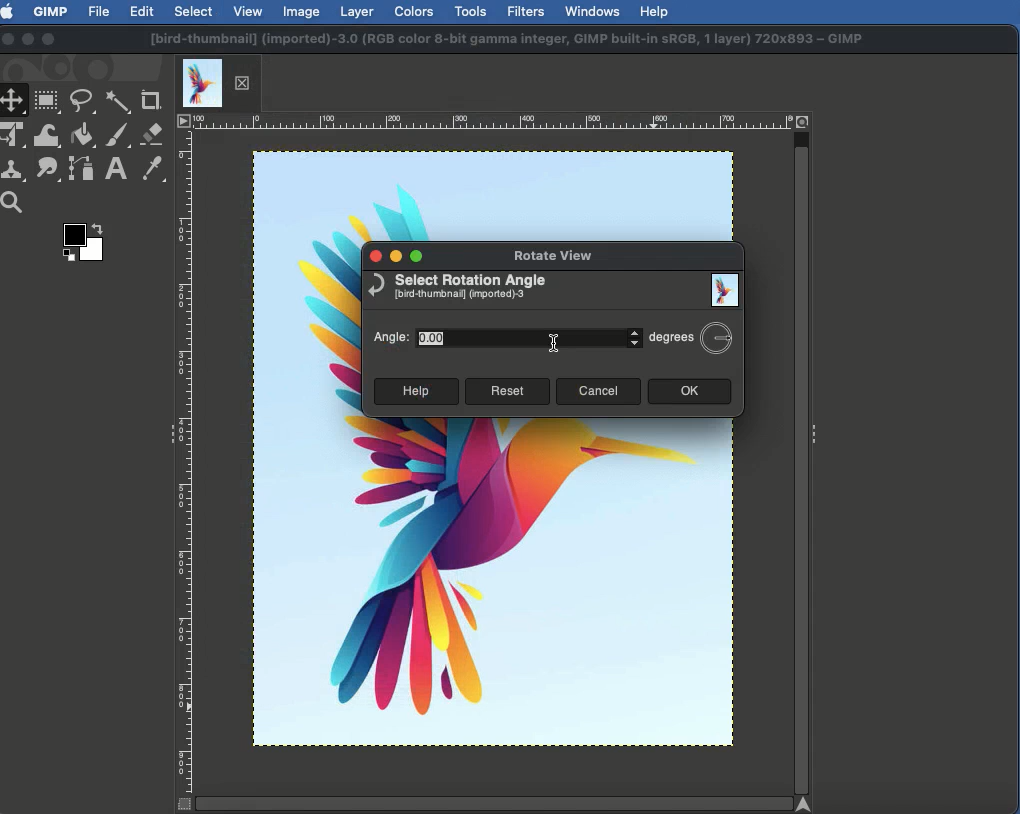 This screenshot has width=1020, height=814. I want to click on 0.00, so click(521, 338).